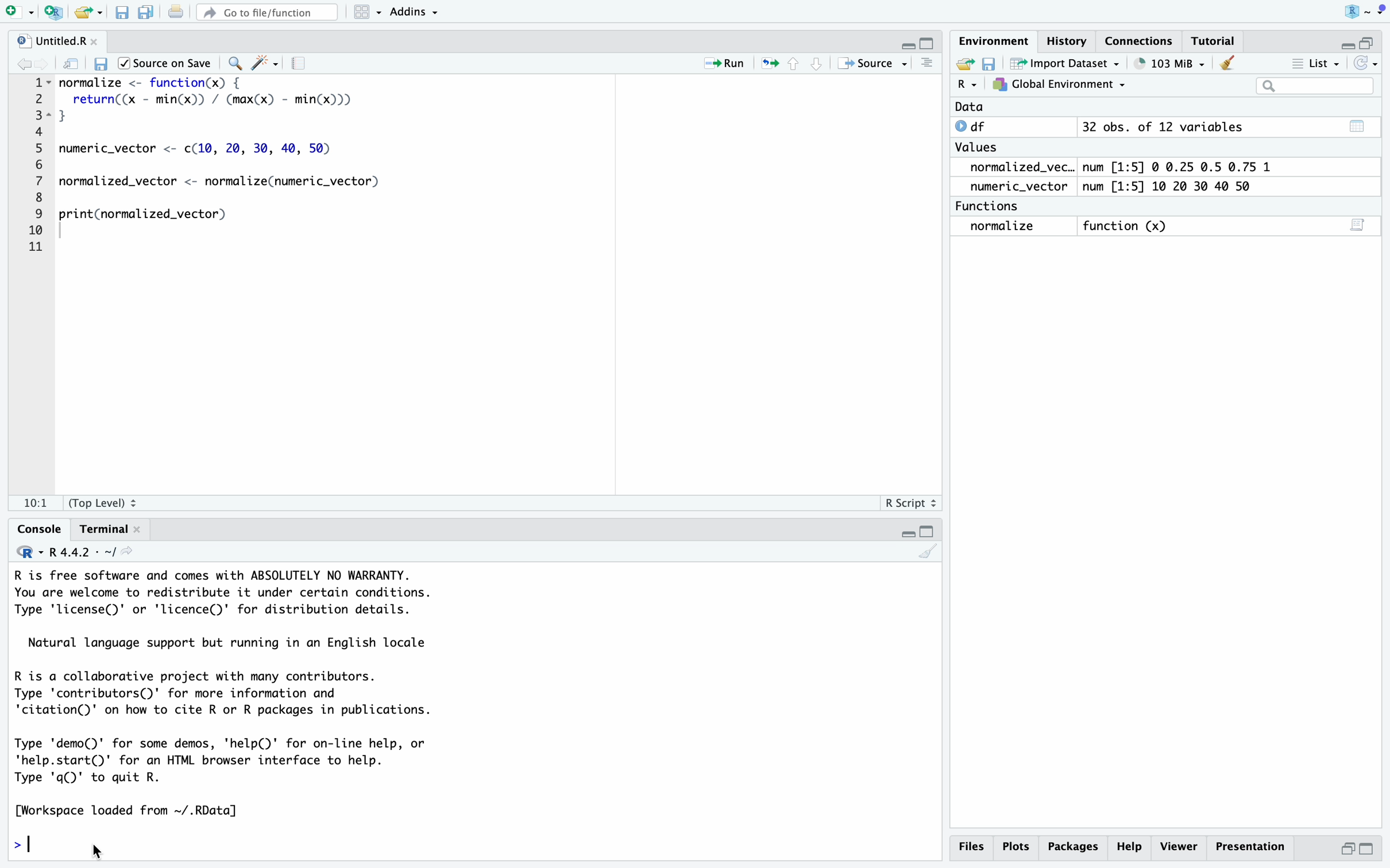 Image resolution: width=1390 pixels, height=868 pixels. Describe the element at coordinates (928, 64) in the screenshot. I see `Show document outline (Ctrl + Shift + O)` at that location.